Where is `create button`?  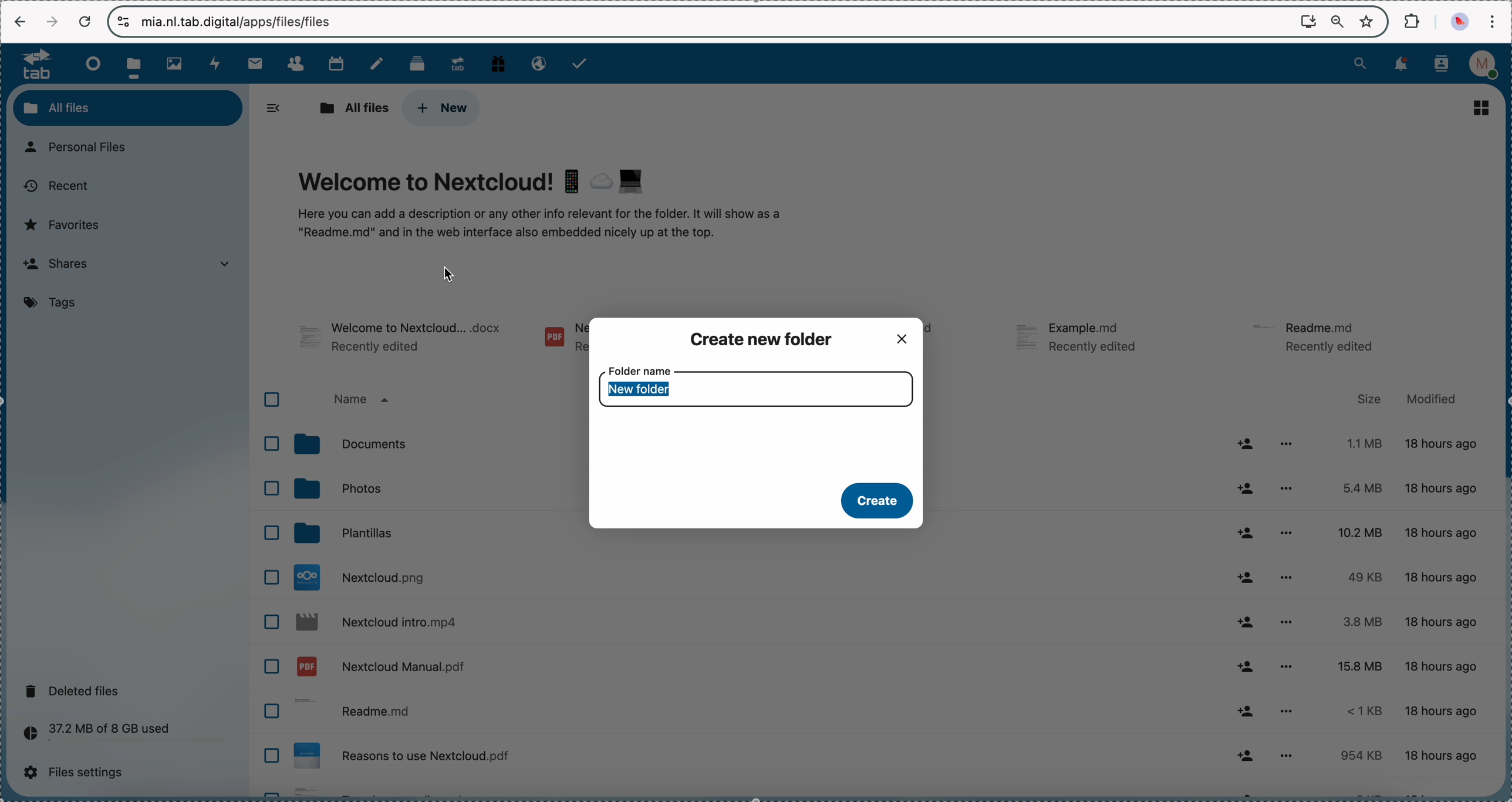 create button is located at coordinates (874, 500).